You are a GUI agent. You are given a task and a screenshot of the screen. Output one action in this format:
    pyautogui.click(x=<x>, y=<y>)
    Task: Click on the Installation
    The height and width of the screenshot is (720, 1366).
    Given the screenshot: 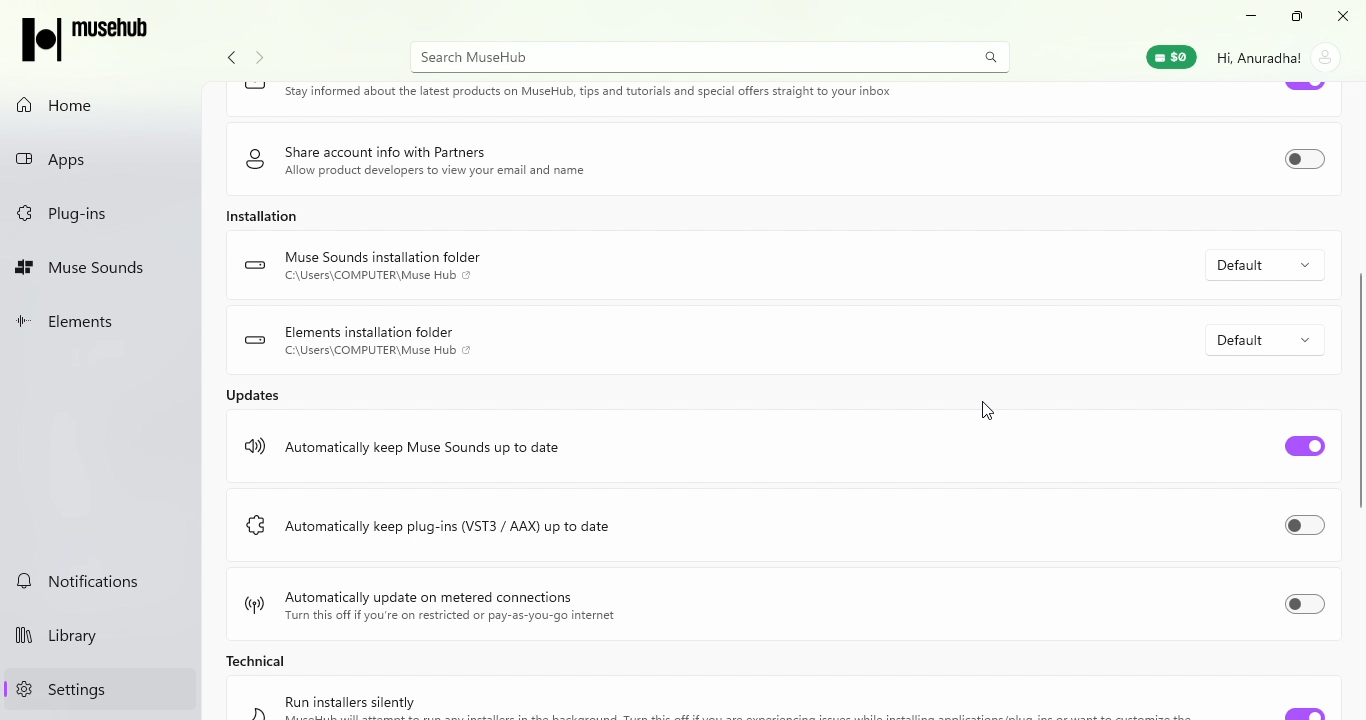 What is the action you would take?
    pyautogui.click(x=262, y=215)
    